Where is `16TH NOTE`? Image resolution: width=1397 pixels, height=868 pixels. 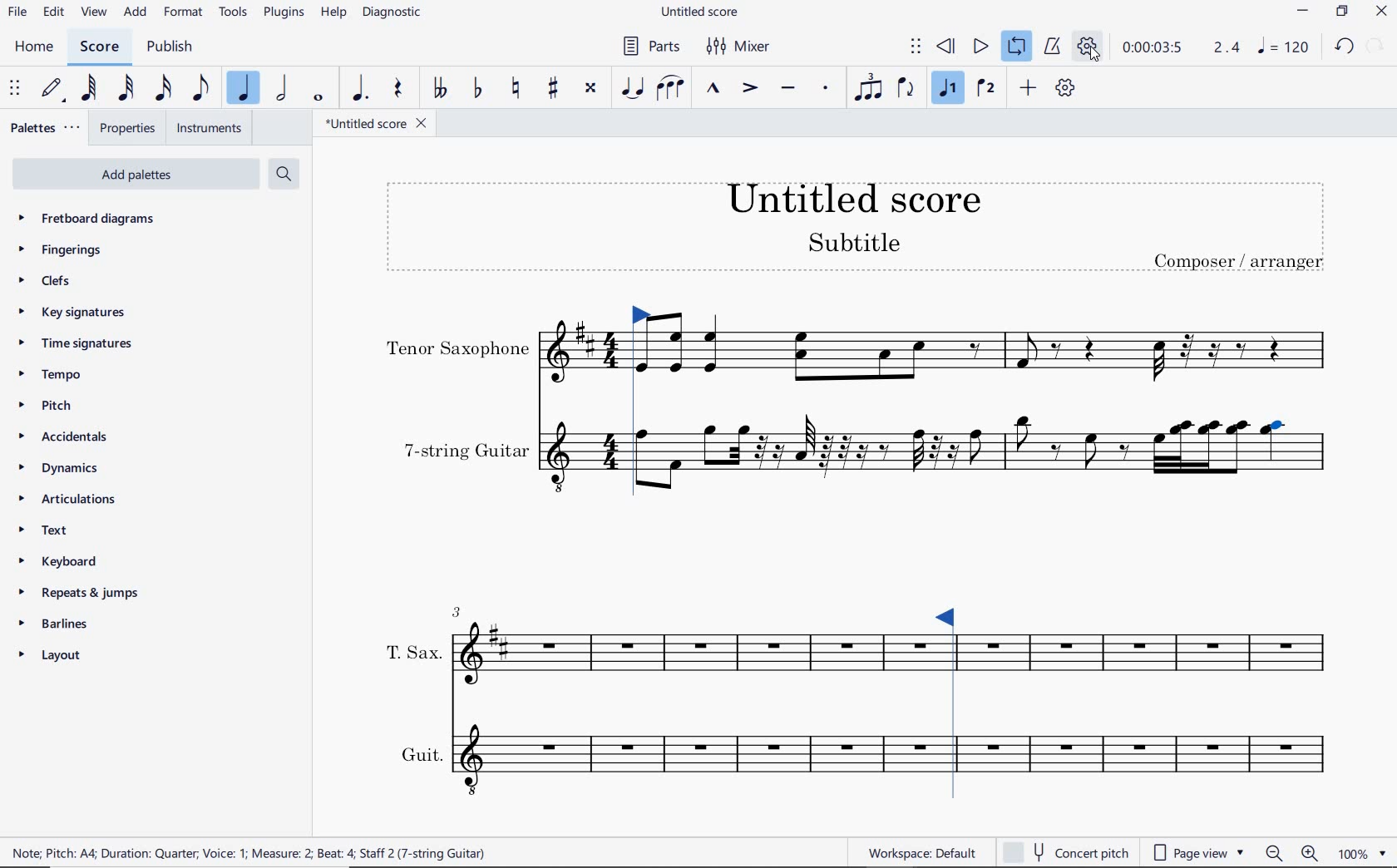 16TH NOTE is located at coordinates (160, 88).